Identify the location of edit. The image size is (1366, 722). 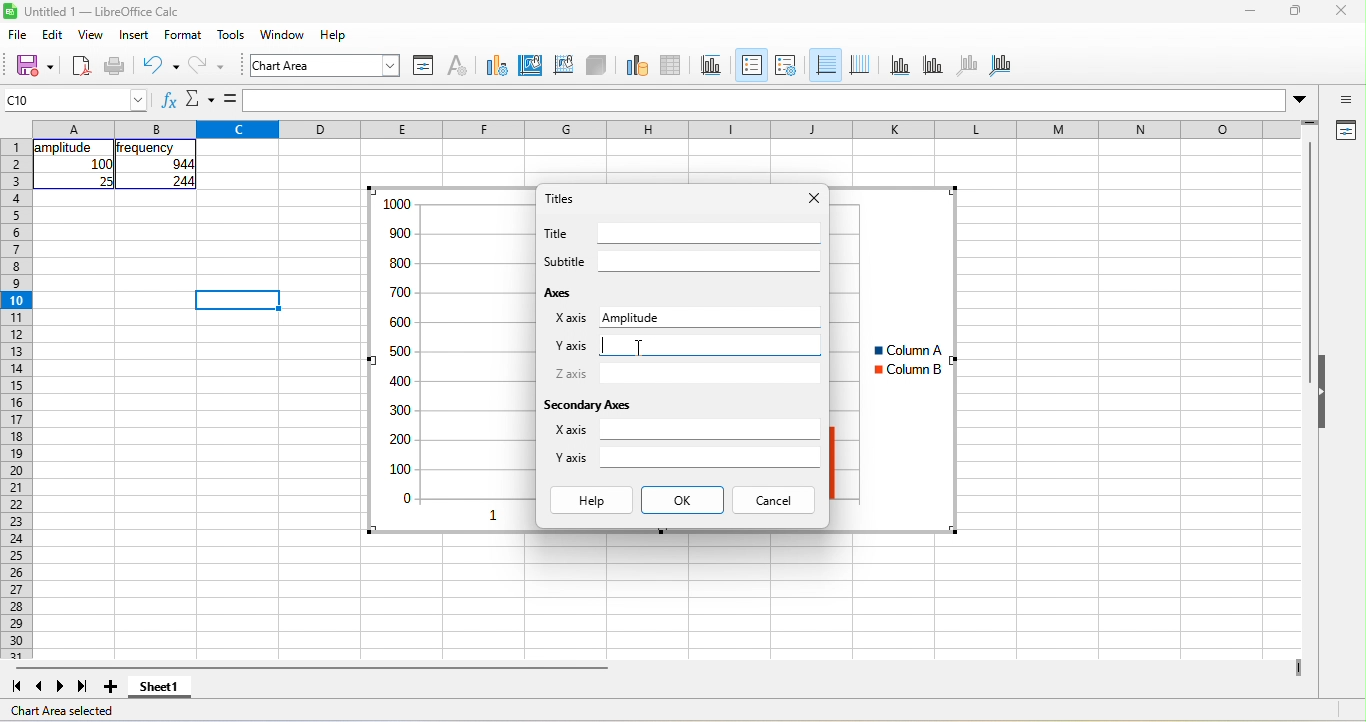
(53, 34).